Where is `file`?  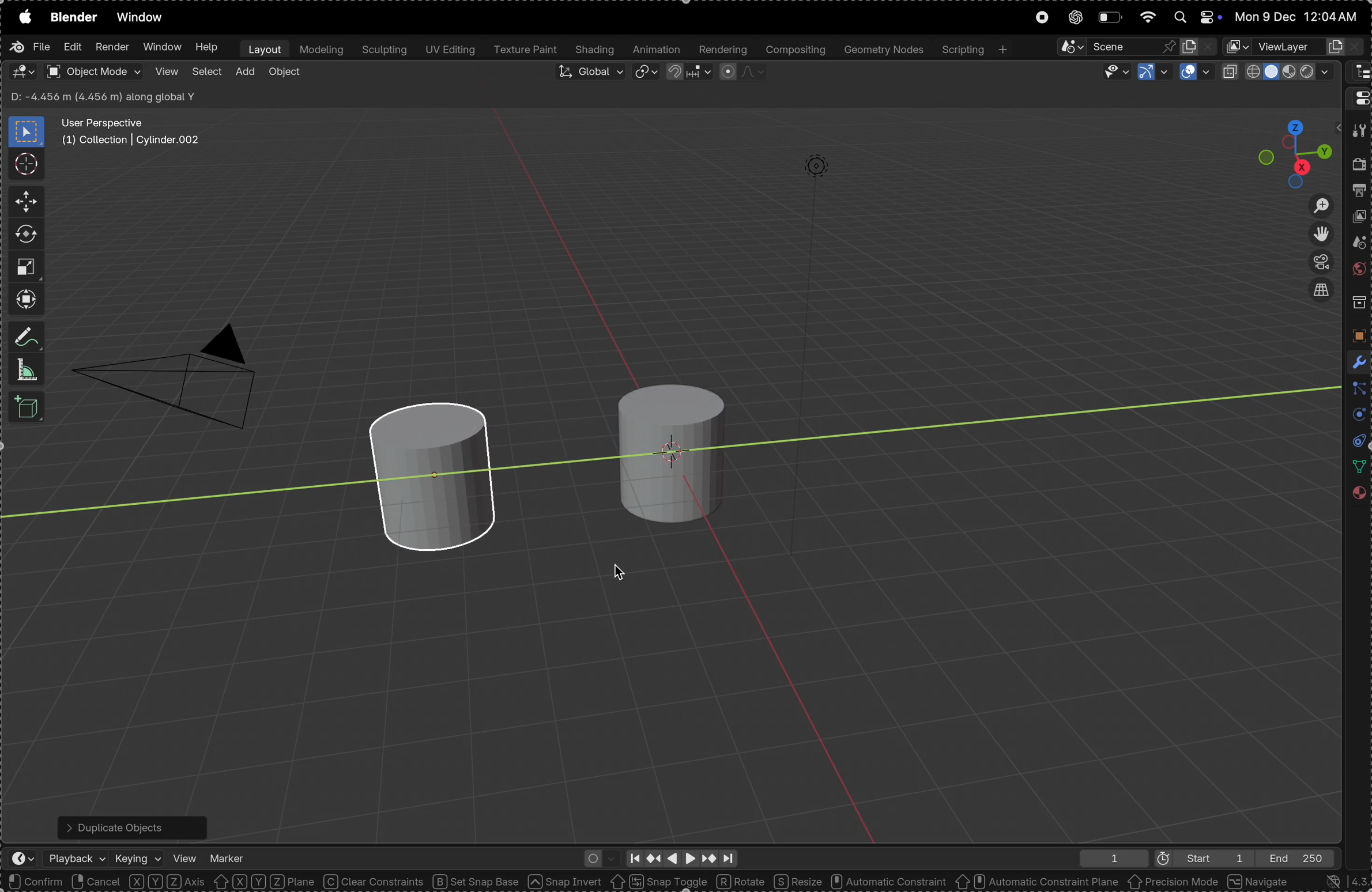 file is located at coordinates (29, 47).